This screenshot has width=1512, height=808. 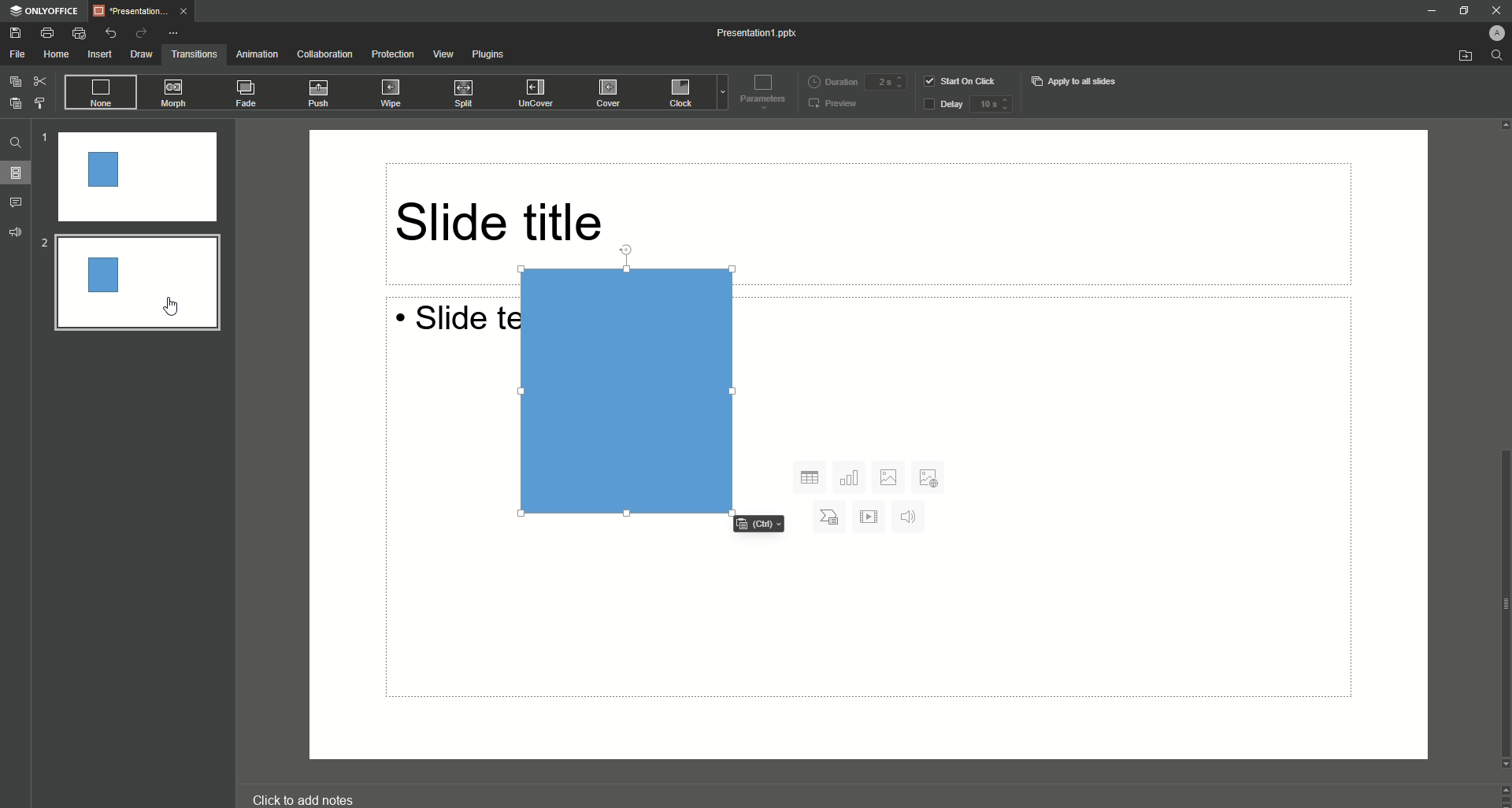 What do you see at coordinates (143, 33) in the screenshot?
I see `Redo` at bounding box center [143, 33].